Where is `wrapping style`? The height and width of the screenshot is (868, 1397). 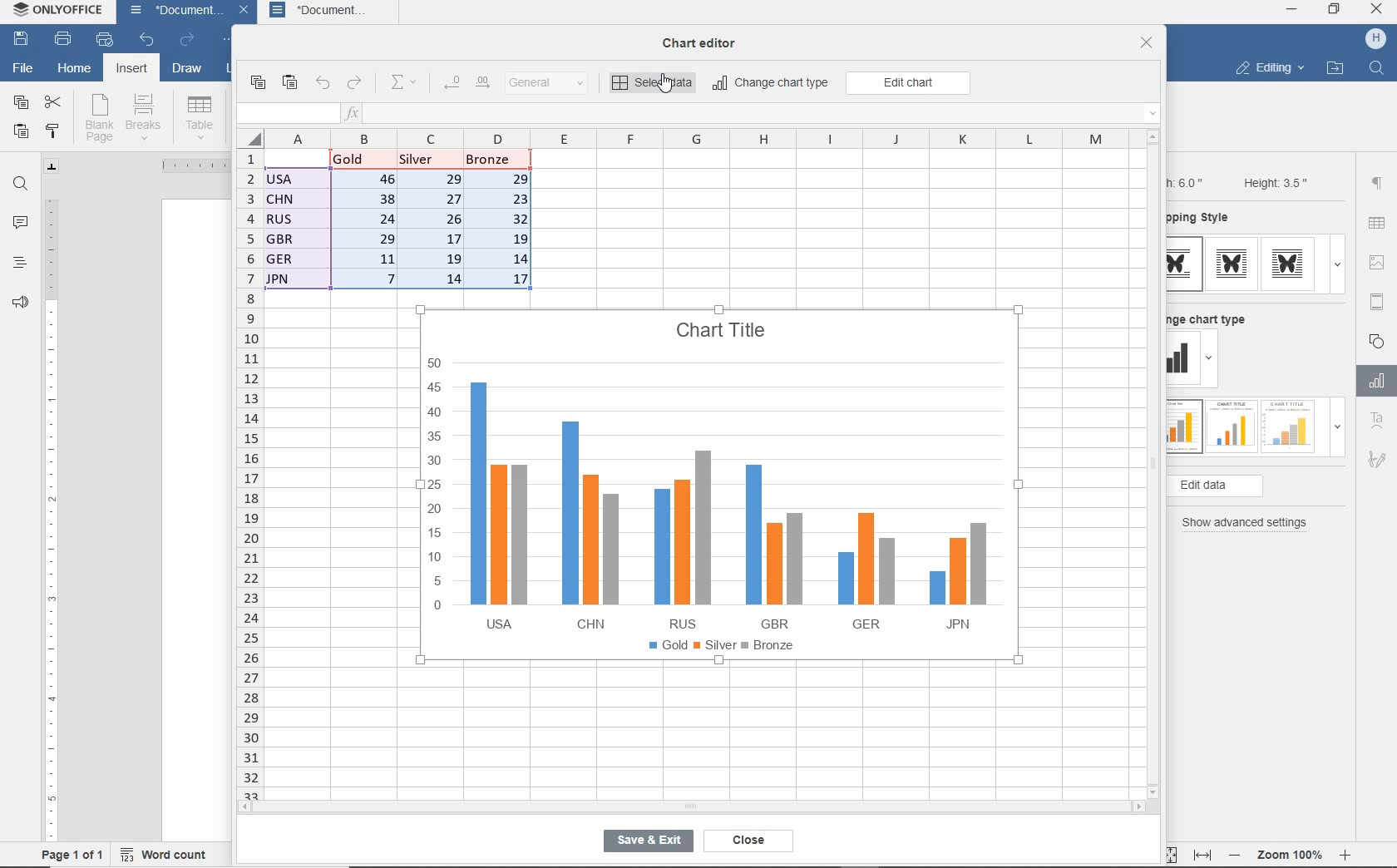 wrapping style is located at coordinates (1222, 219).